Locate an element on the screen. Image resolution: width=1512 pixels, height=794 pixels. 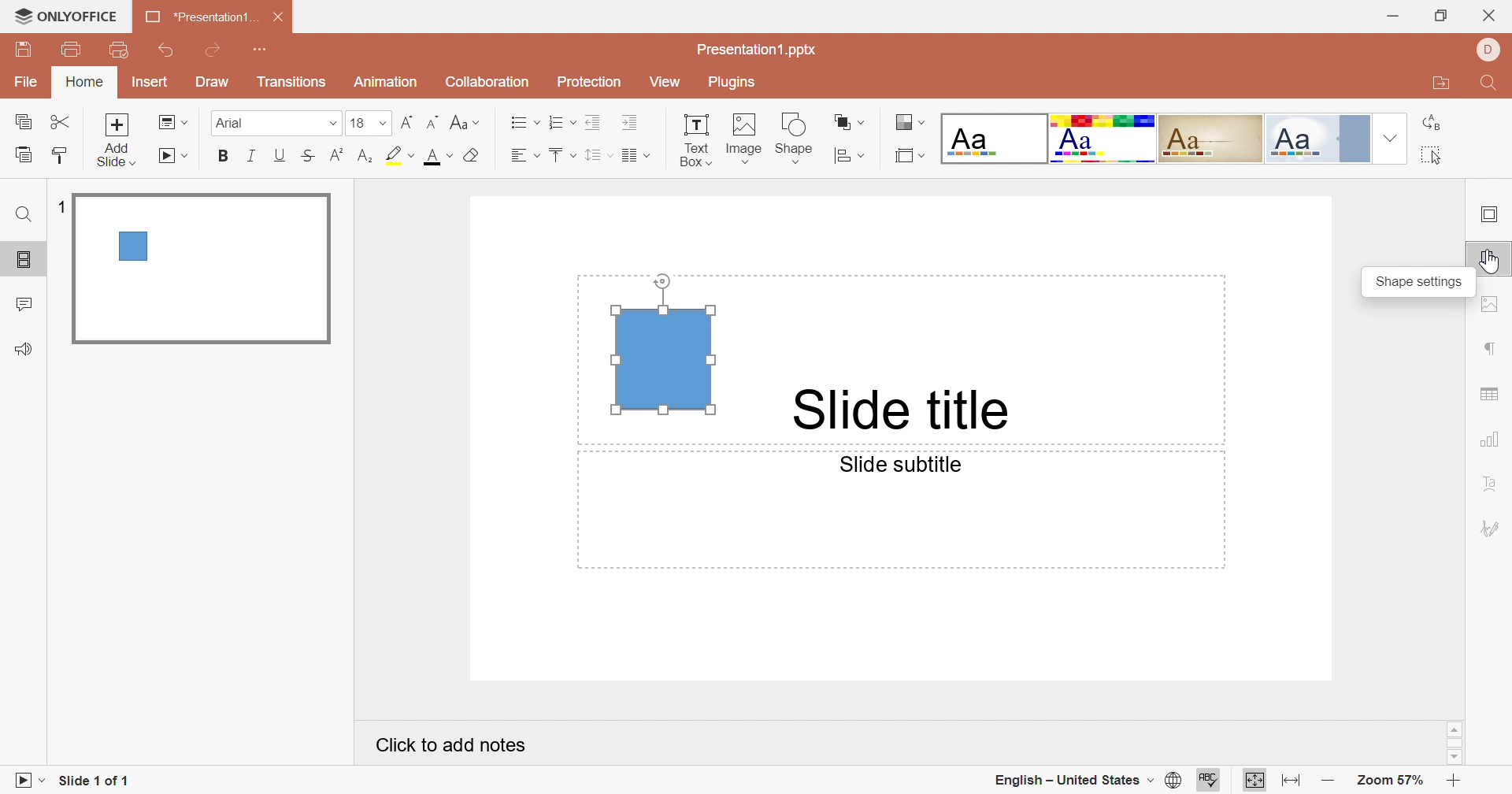
Close is located at coordinates (275, 19).